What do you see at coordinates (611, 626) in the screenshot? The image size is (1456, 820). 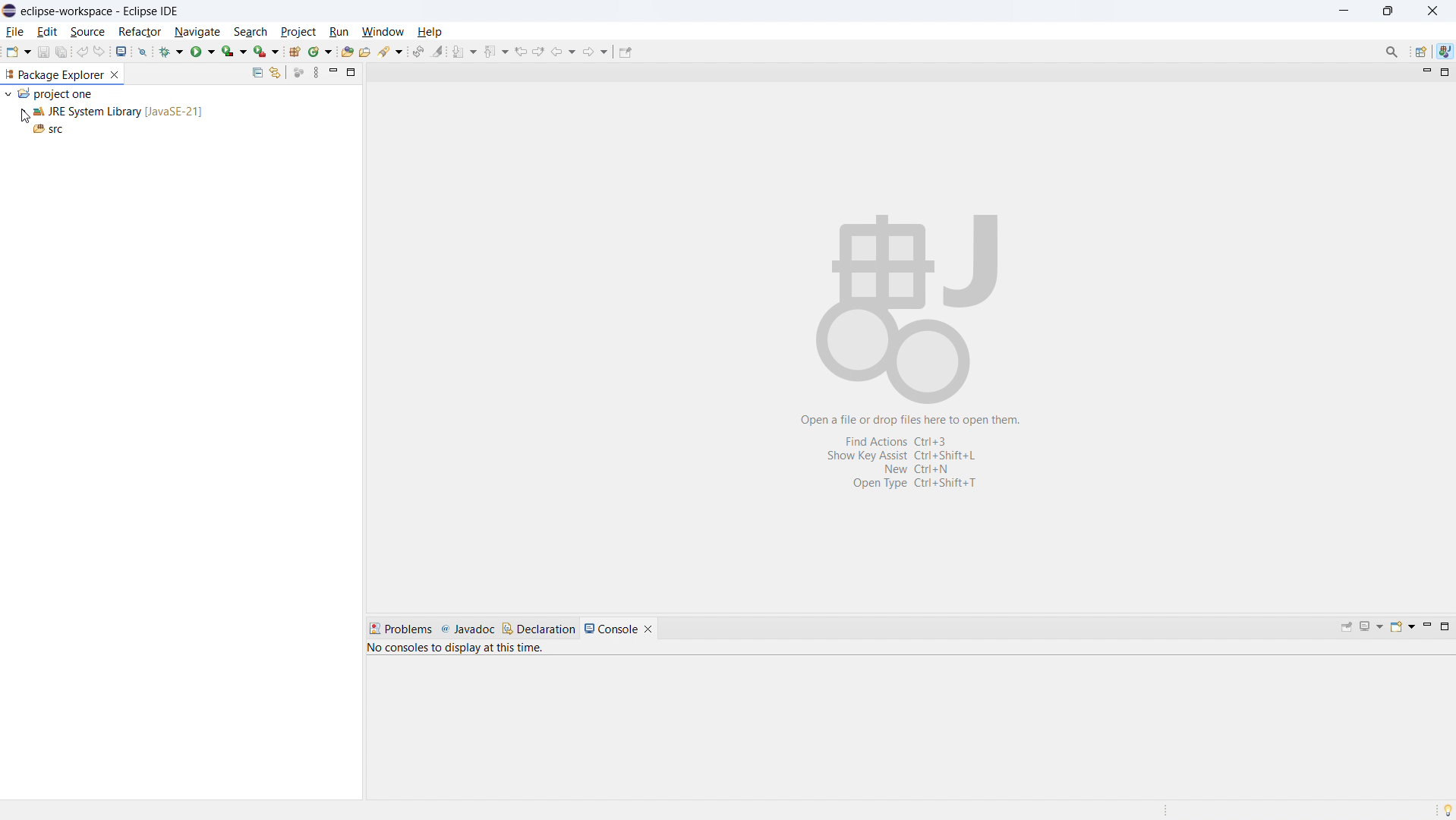 I see `console` at bounding box center [611, 626].